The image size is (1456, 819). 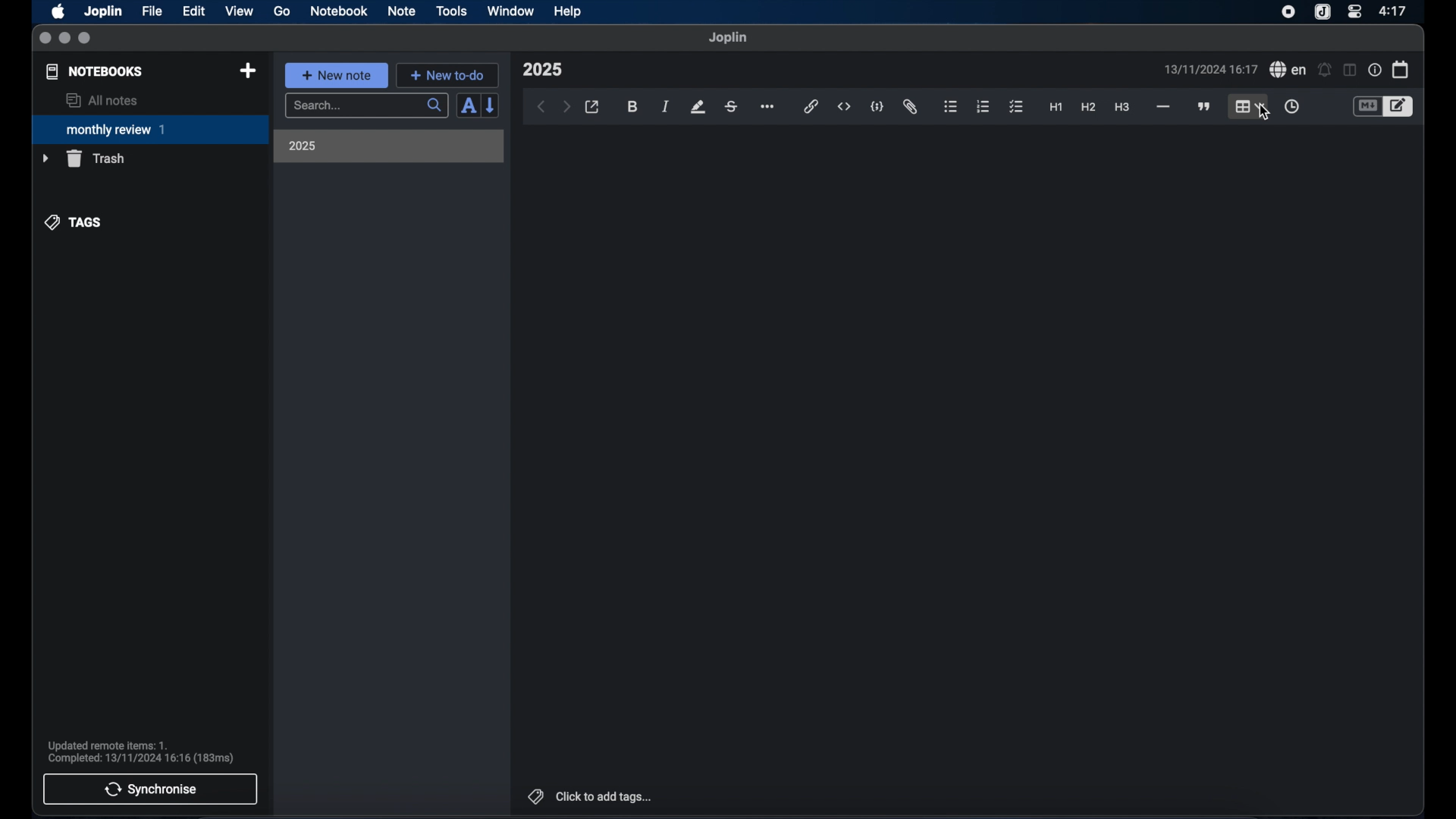 What do you see at coordinates (1321, 13) in the screenshot?
I see `joplin icon` at bounding box center [1321, 13].